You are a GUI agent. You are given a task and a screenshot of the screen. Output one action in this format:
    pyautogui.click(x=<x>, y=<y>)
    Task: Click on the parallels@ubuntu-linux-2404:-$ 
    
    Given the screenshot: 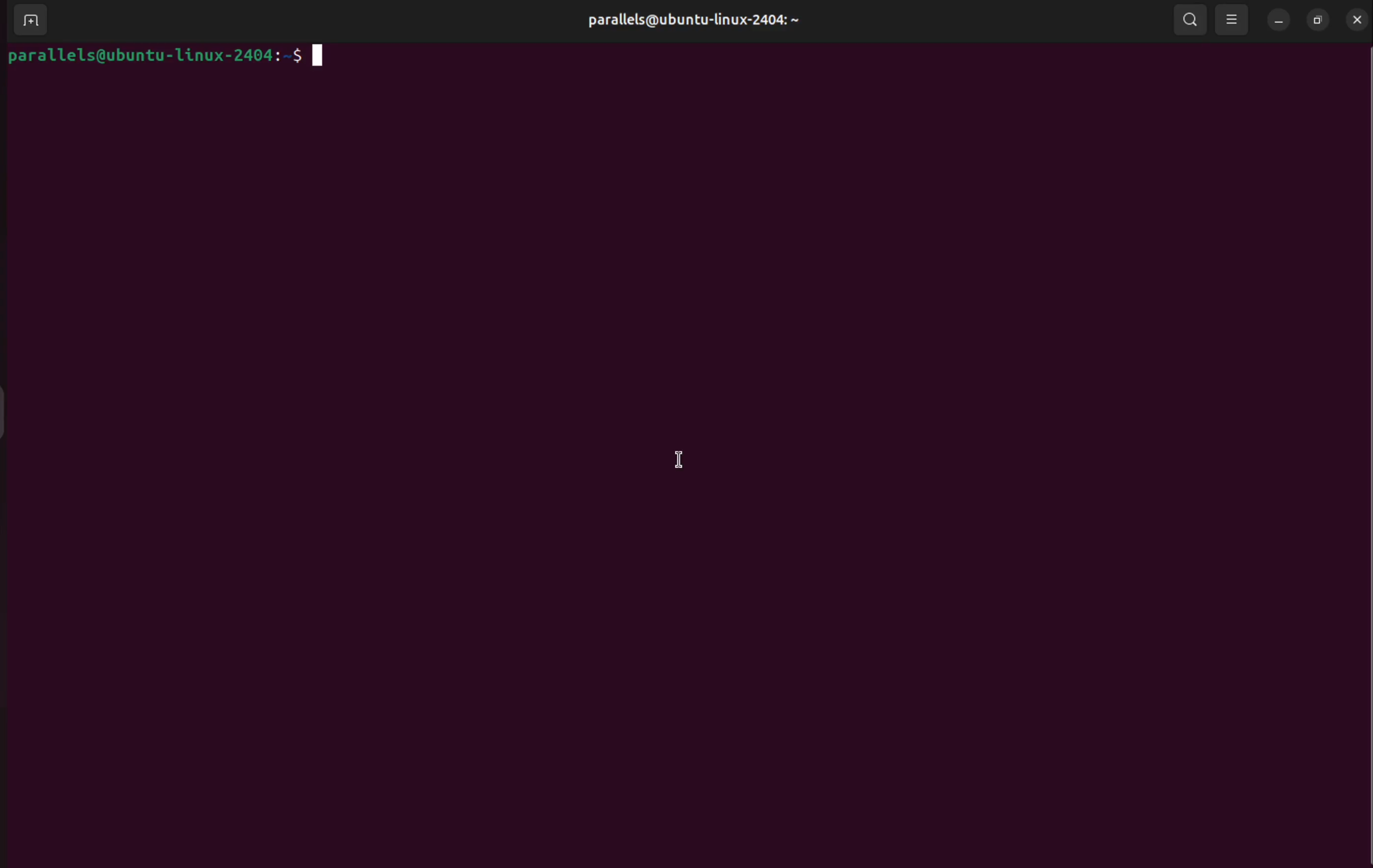 What is the action you would take?
    pyautogui.click(x=183, y=58)
    